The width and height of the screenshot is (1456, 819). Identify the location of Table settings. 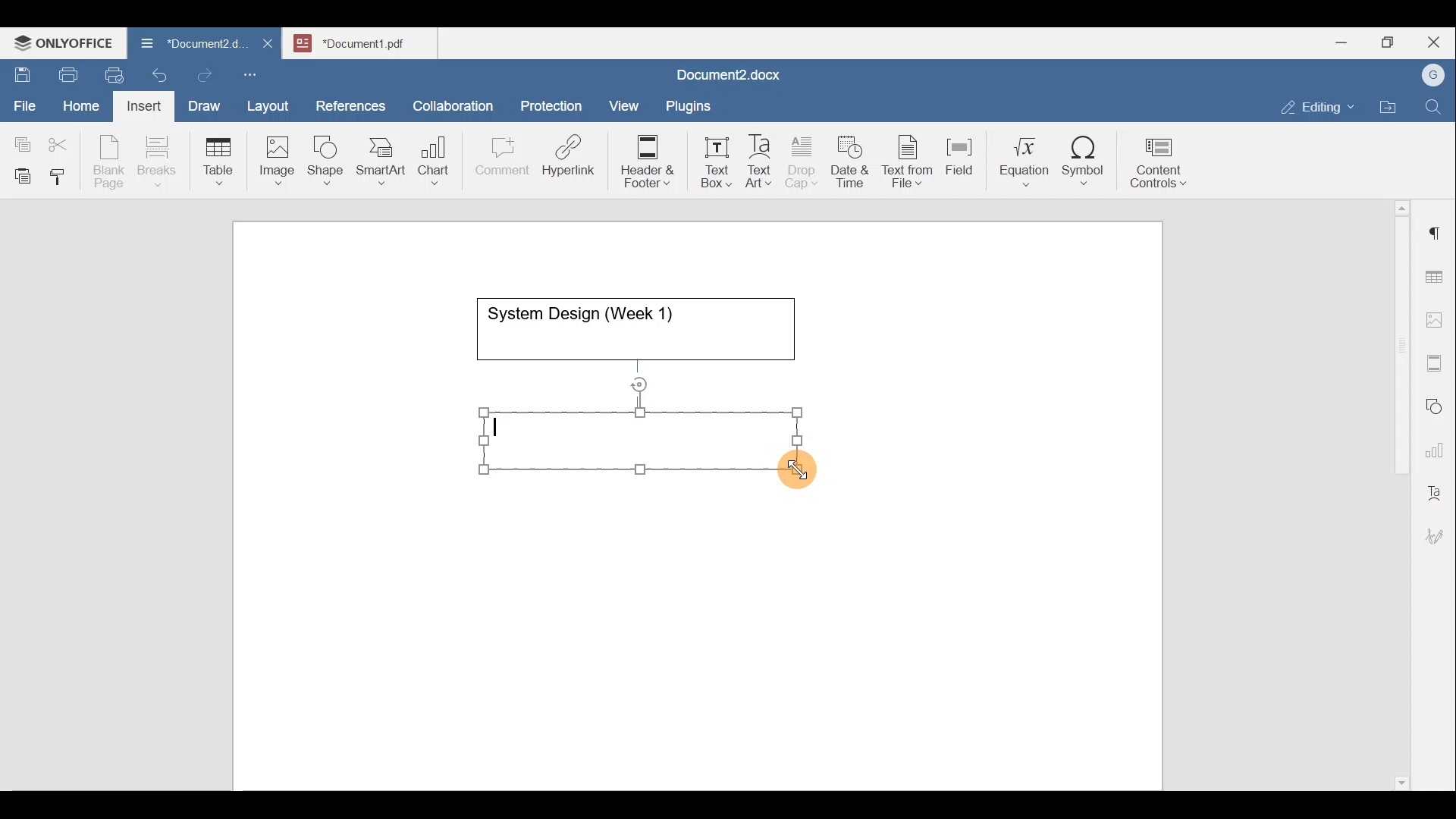
(1437, 275).